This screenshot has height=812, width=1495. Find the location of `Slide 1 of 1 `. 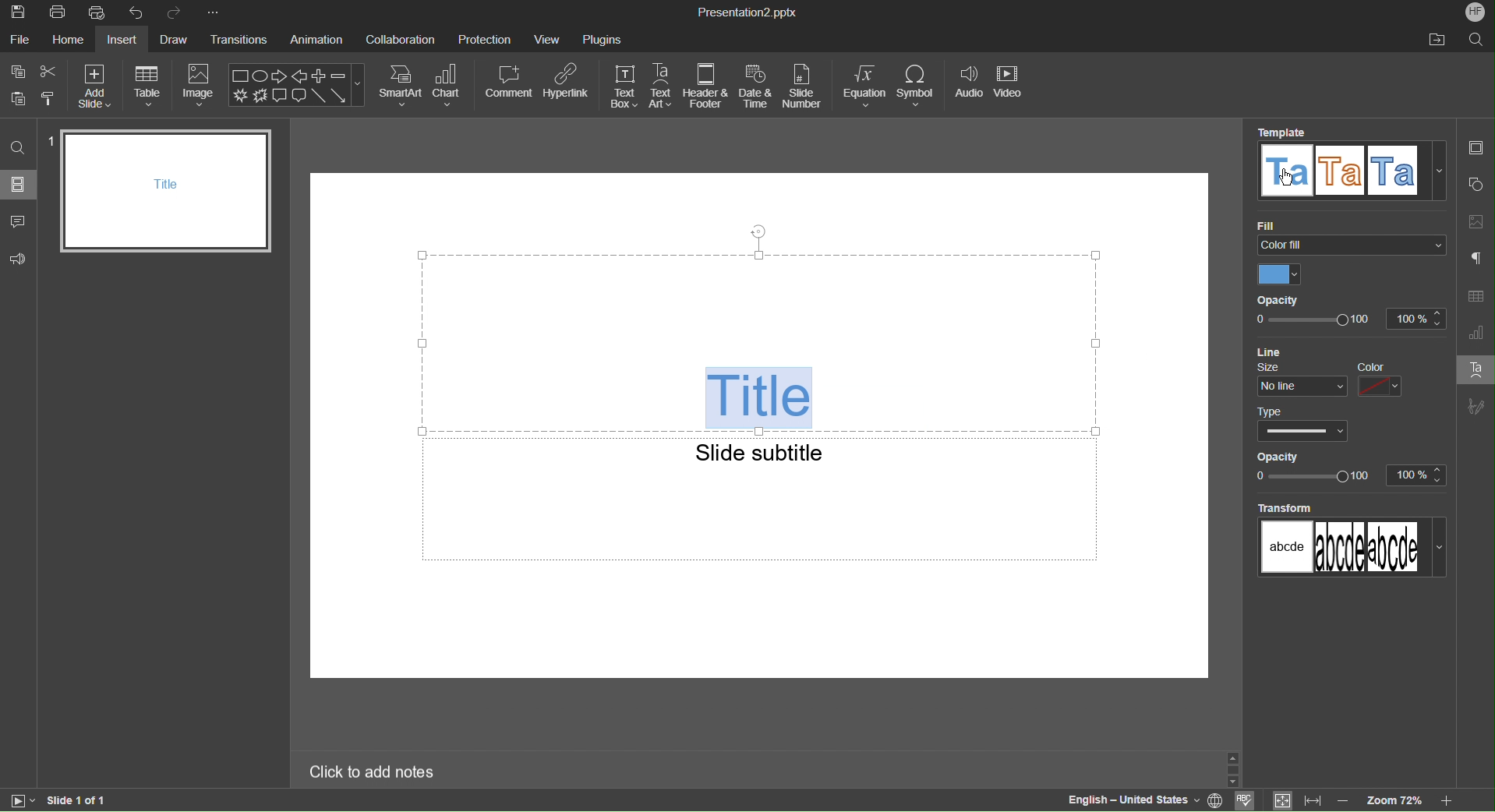

Slide 1 of 1  is located at coordinates (79, 800).